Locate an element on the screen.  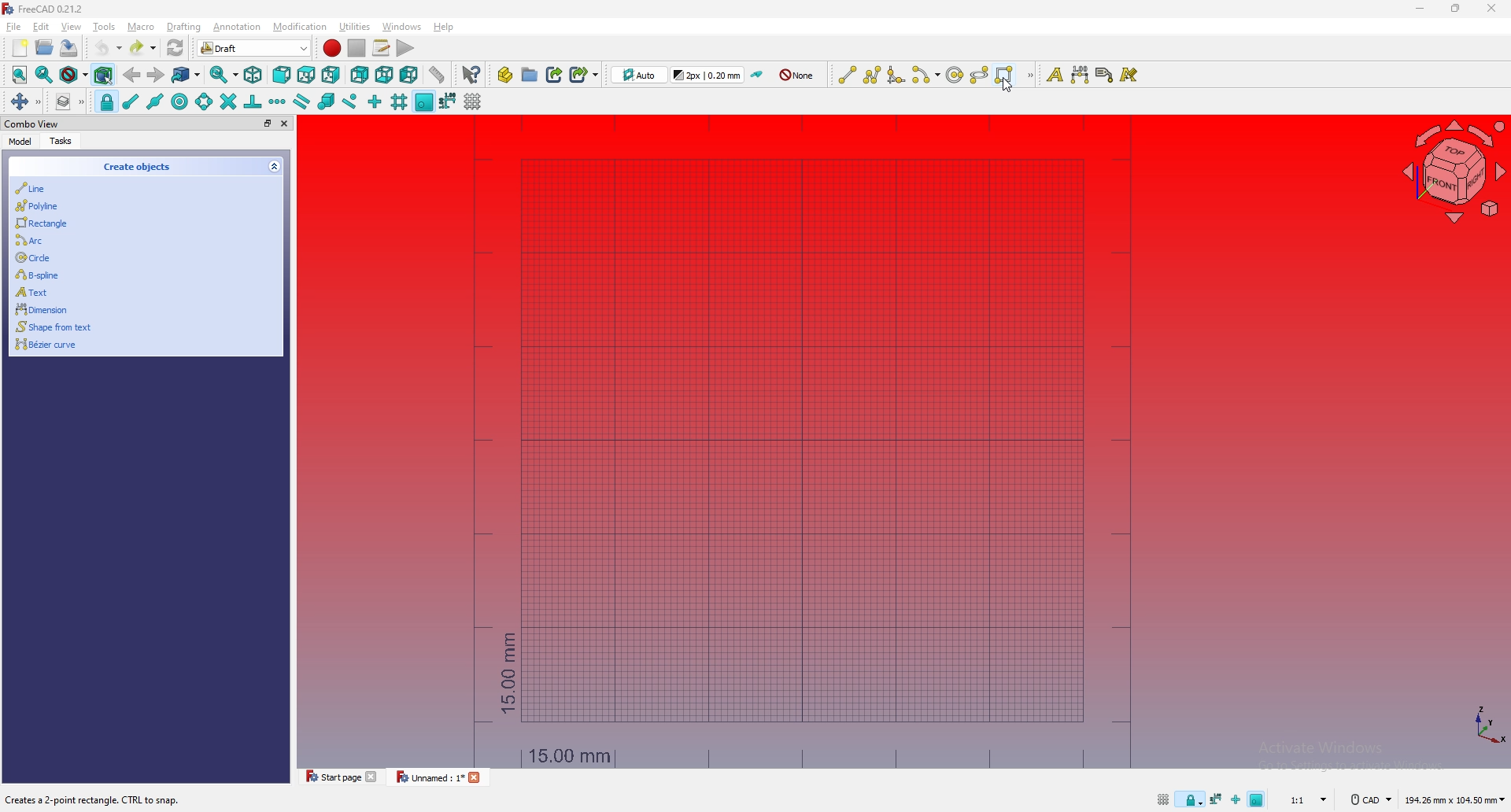
line is located at coordinates (140, 188).